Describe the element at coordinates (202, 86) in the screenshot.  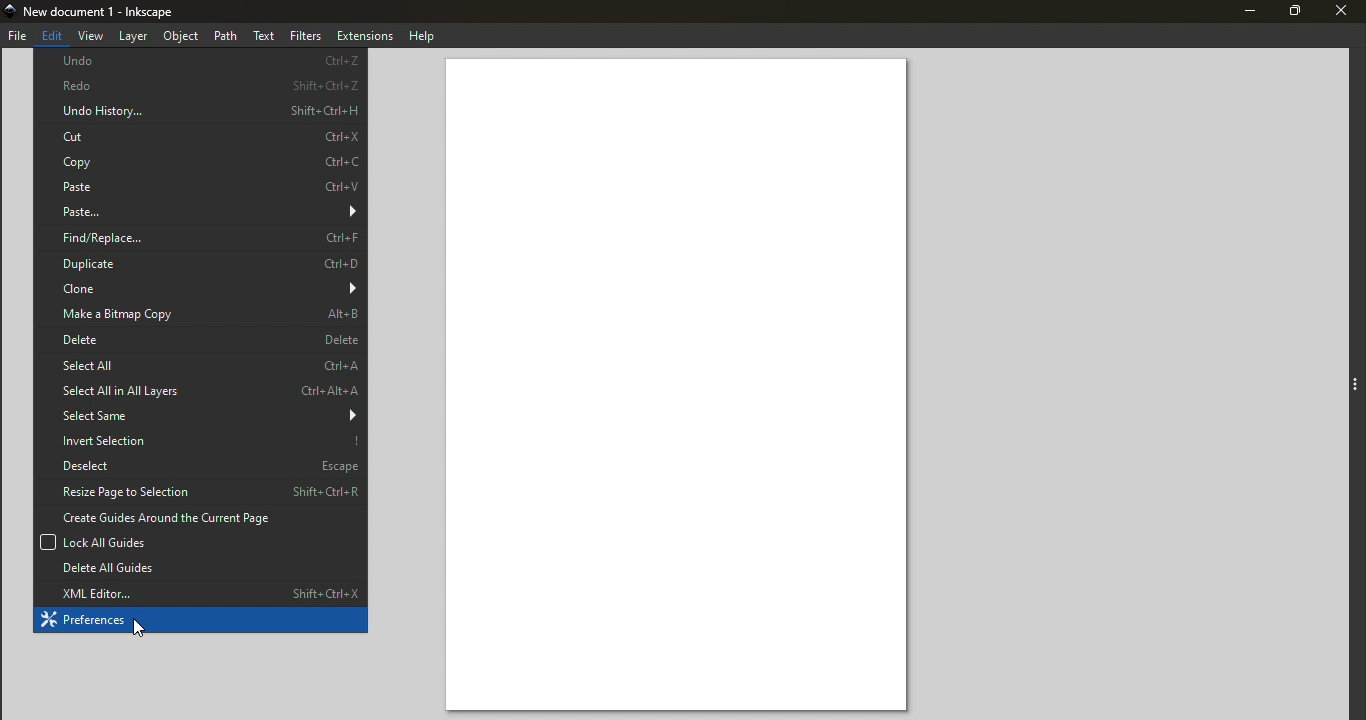
I see `Redo` at that location.